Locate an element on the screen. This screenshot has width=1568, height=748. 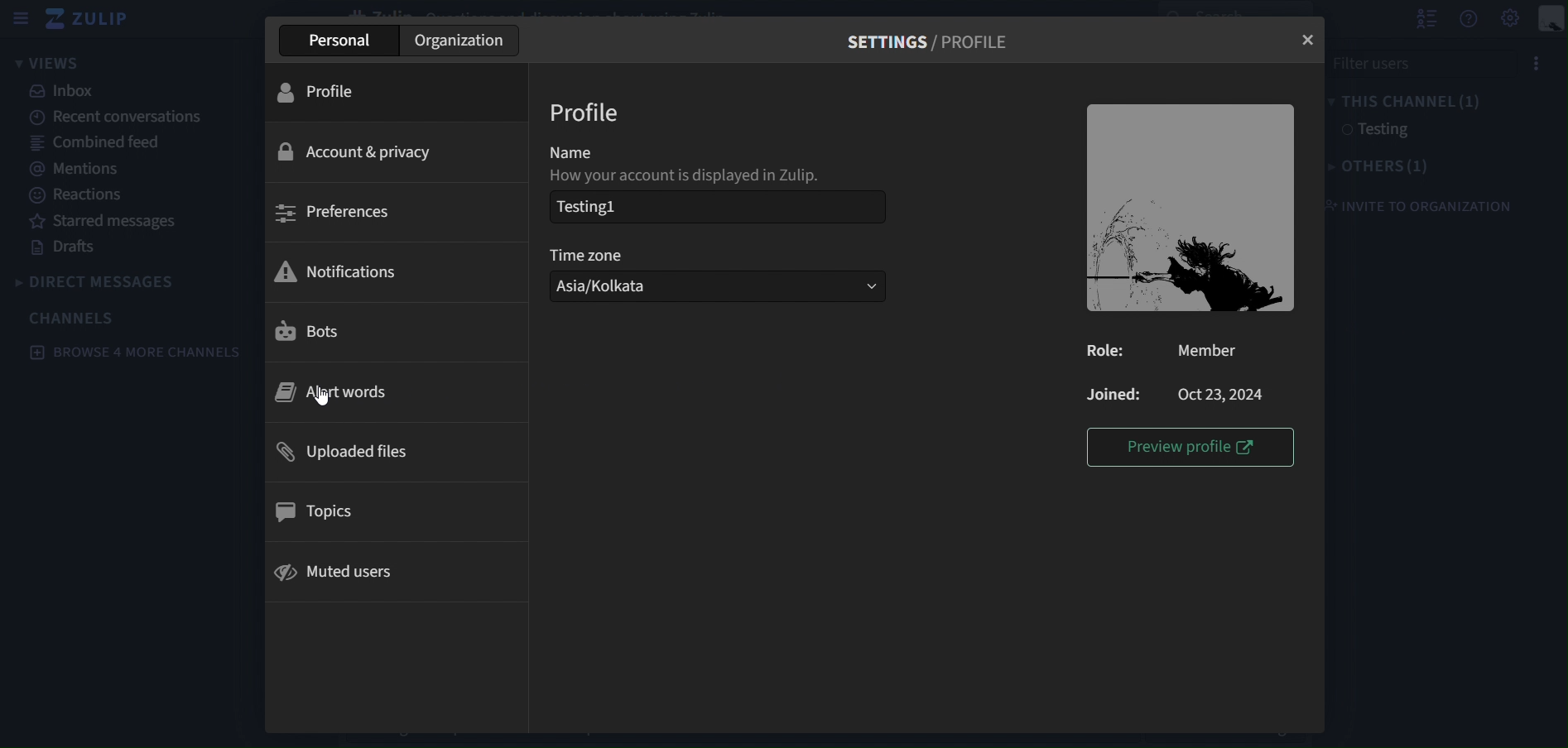
Member is located at coordinates (1210, 350).